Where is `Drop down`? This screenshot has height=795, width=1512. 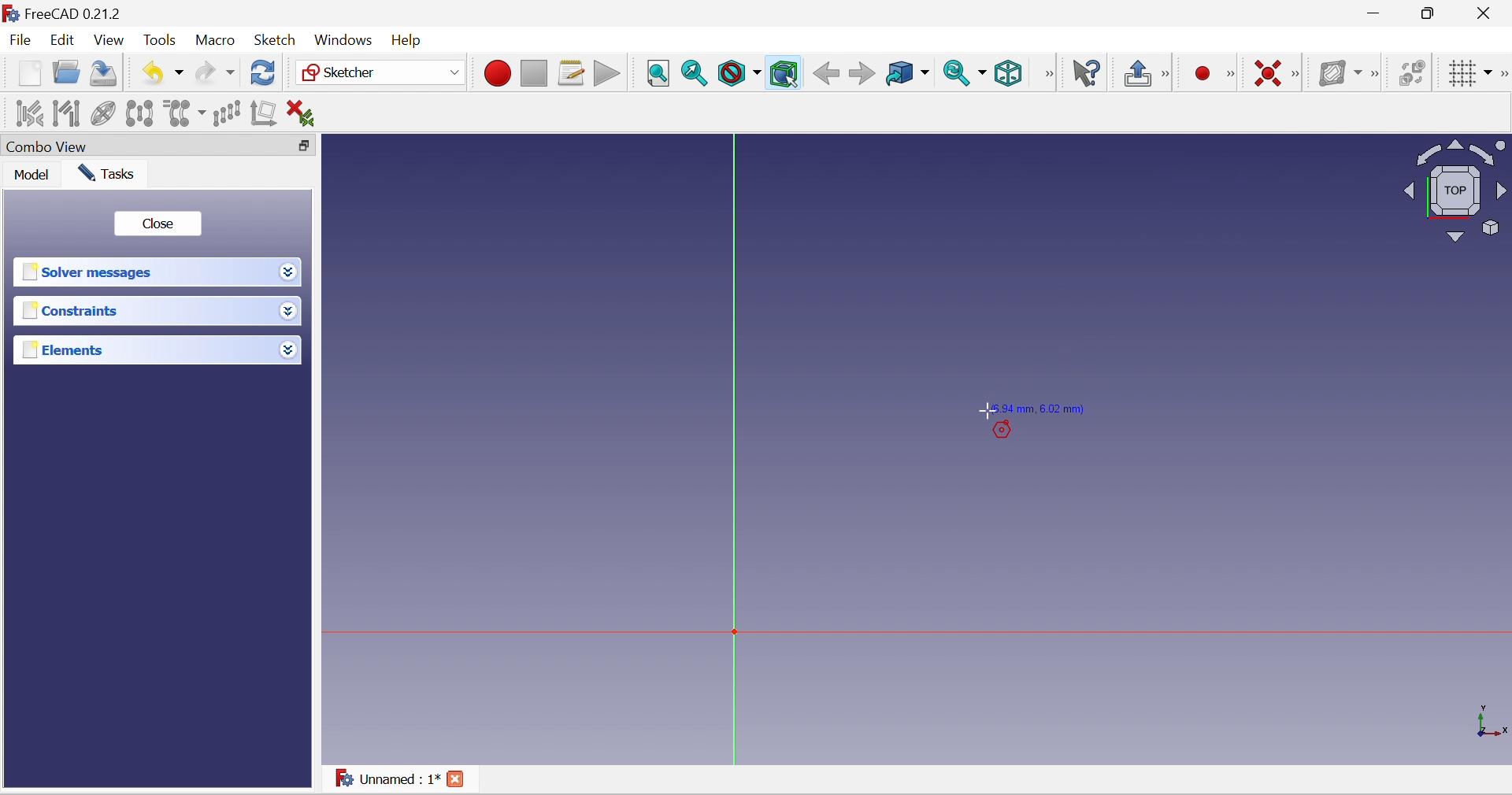
Drop down is located at coordinates (289, 349).